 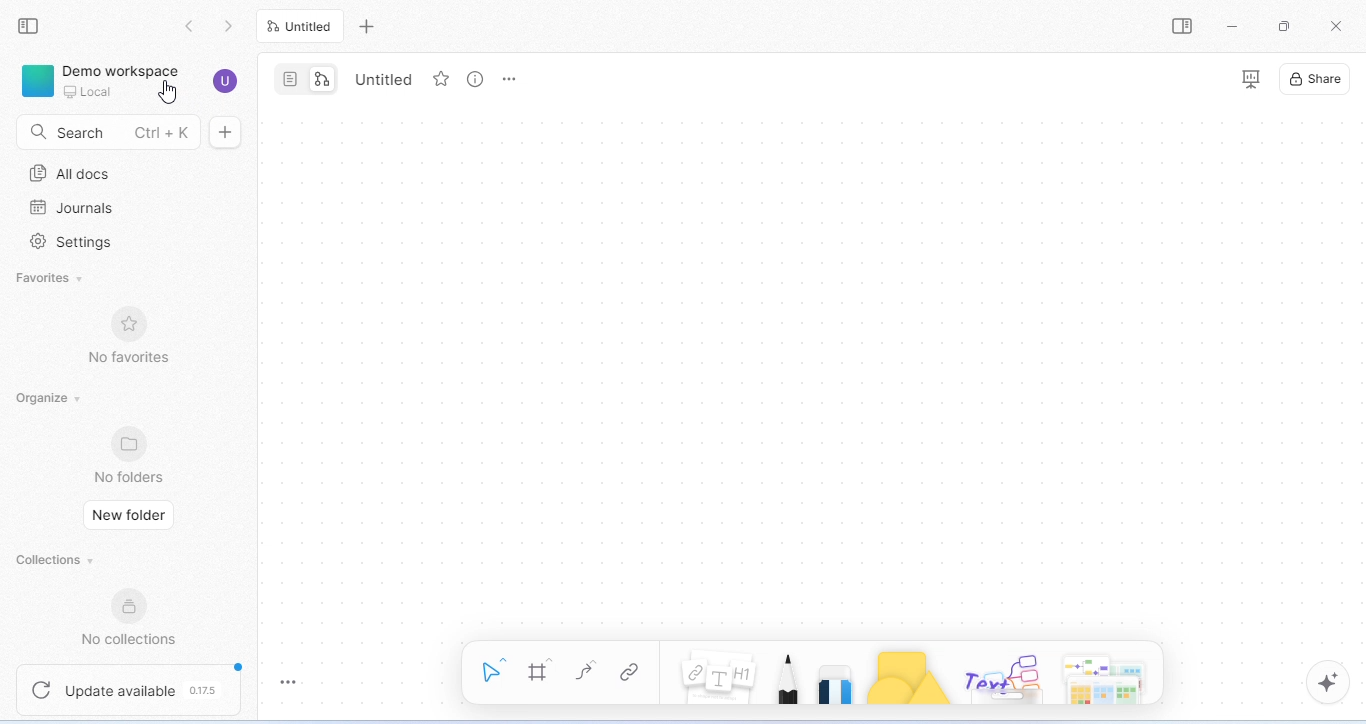 What do you see at coordinates (1004, 676) in the screenshot?
I see `others` at bounding box center [1004, 676].